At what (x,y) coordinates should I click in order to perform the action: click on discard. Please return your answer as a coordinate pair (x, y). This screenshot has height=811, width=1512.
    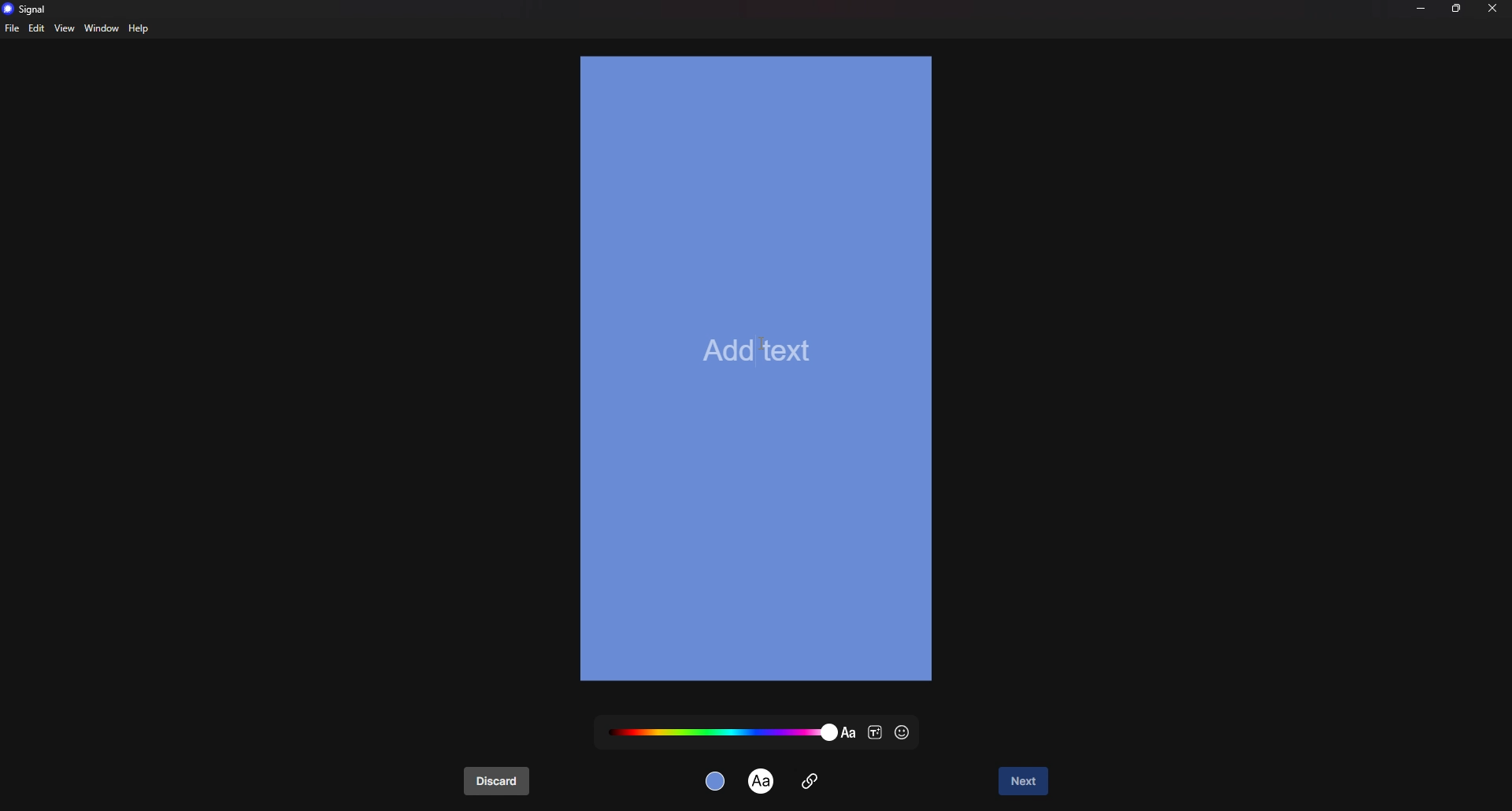
    Looking at the image, I should click on (497, 782).